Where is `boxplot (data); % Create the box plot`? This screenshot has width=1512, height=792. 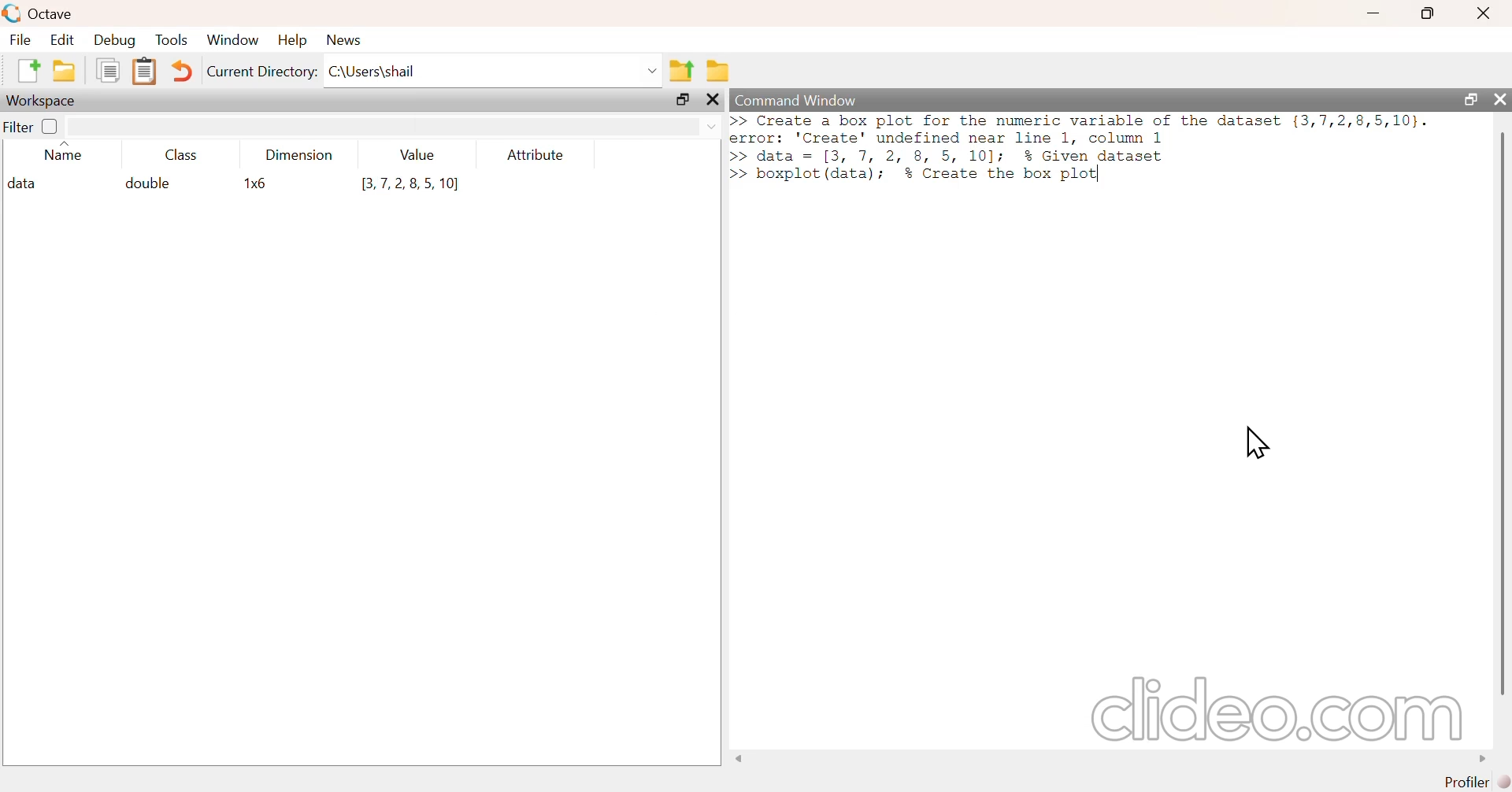 boxplot (data); % Create the box plot is located at coordinates (926, 176).